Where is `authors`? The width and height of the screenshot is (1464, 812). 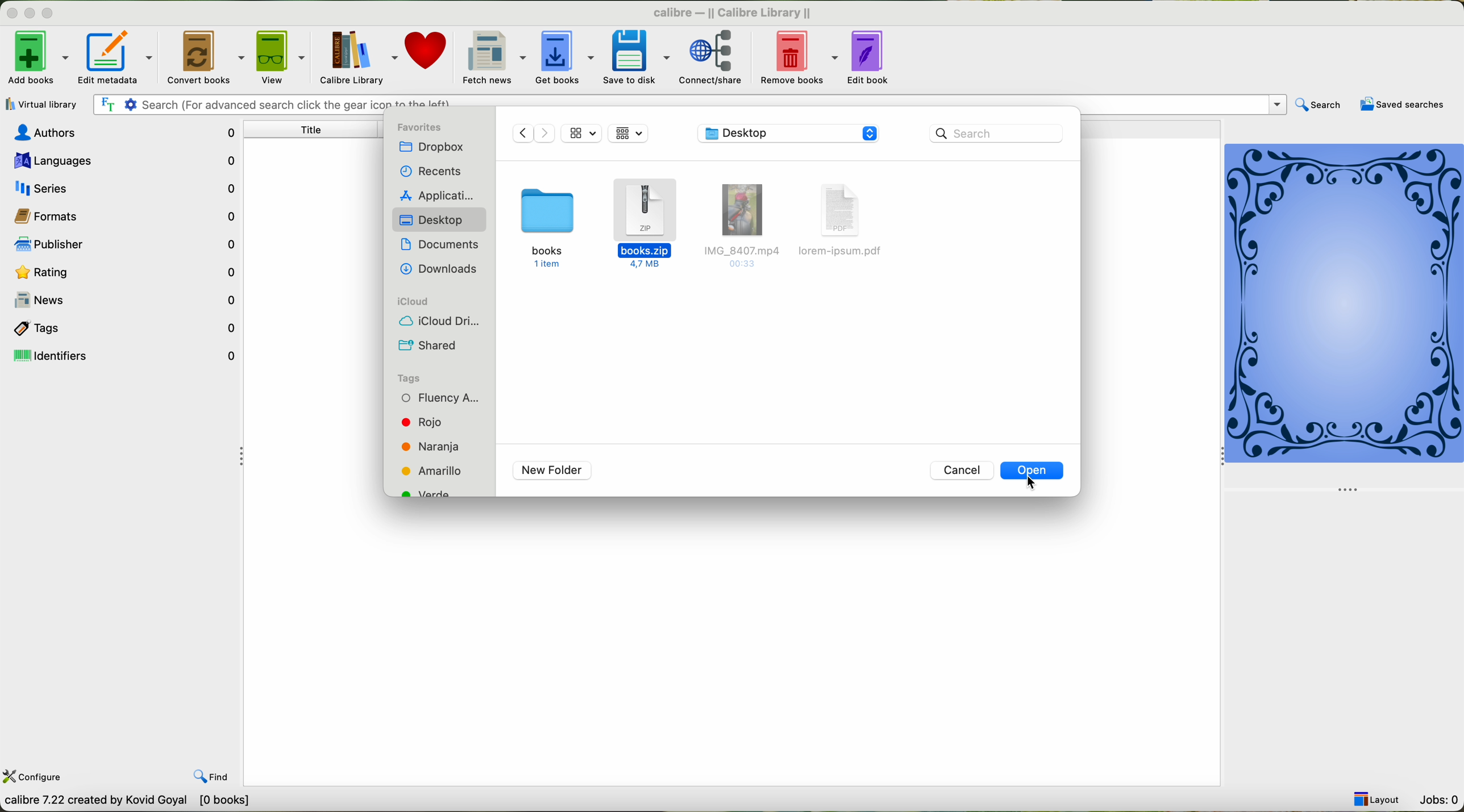
authors is located at coordinates (123, 133).